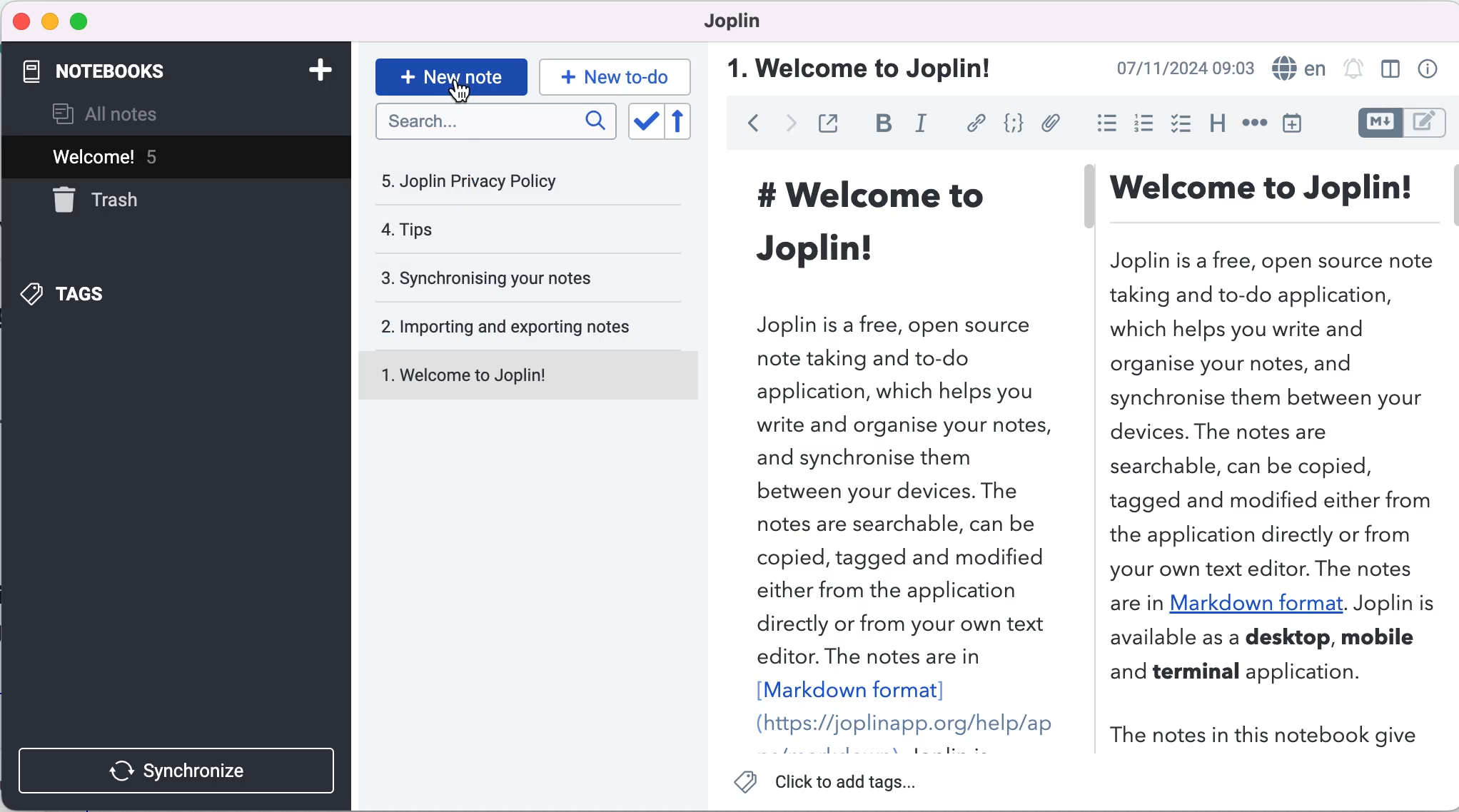  What do you see at coordinates (22, 22) in the screenshot?
I see `close` at bounding box center [22, 22].